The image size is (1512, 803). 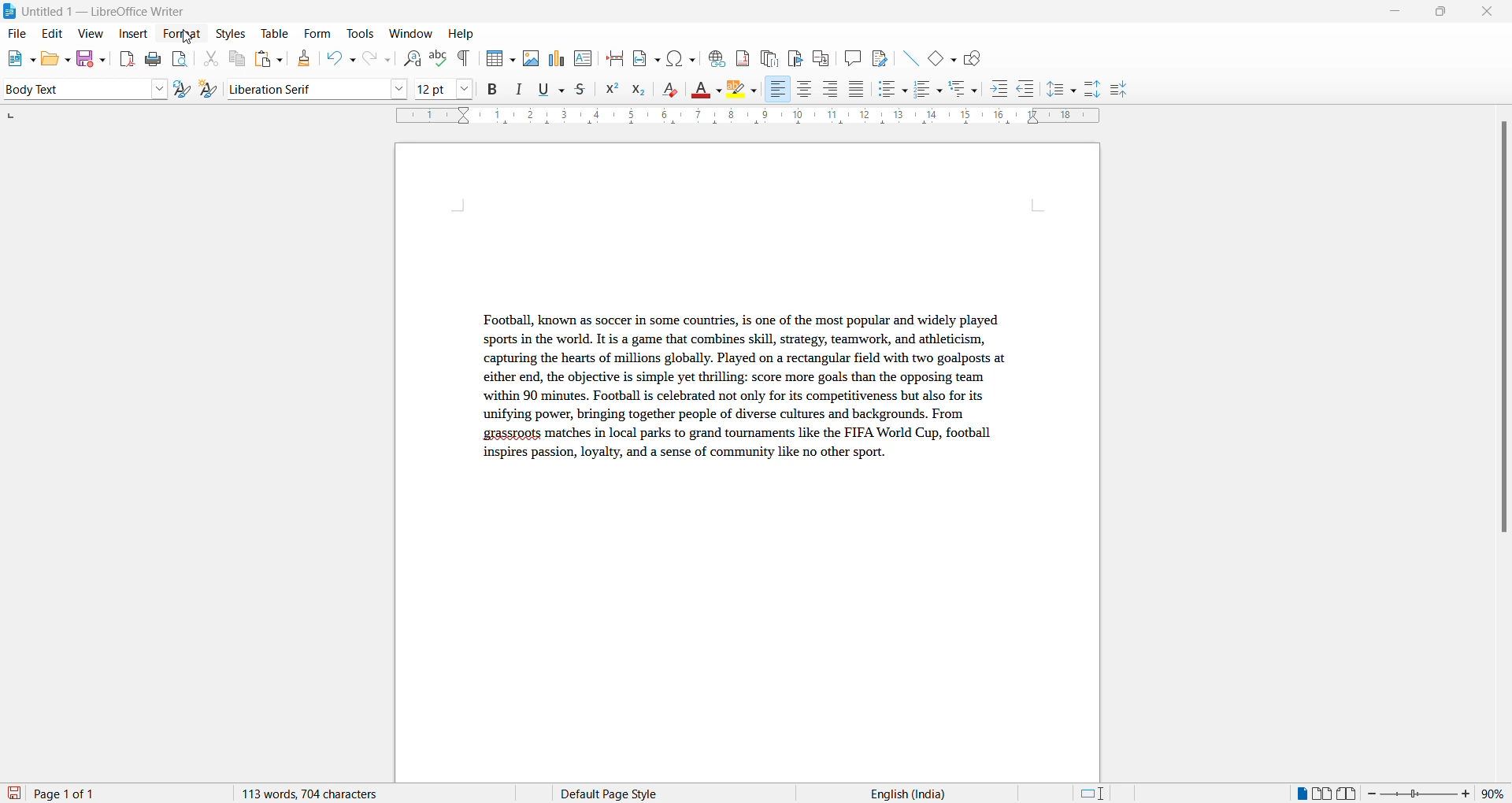 What do you see at coordinates (976, 57) in the screenshot?
I see `show draw functions` at bounding box center [976, 57].